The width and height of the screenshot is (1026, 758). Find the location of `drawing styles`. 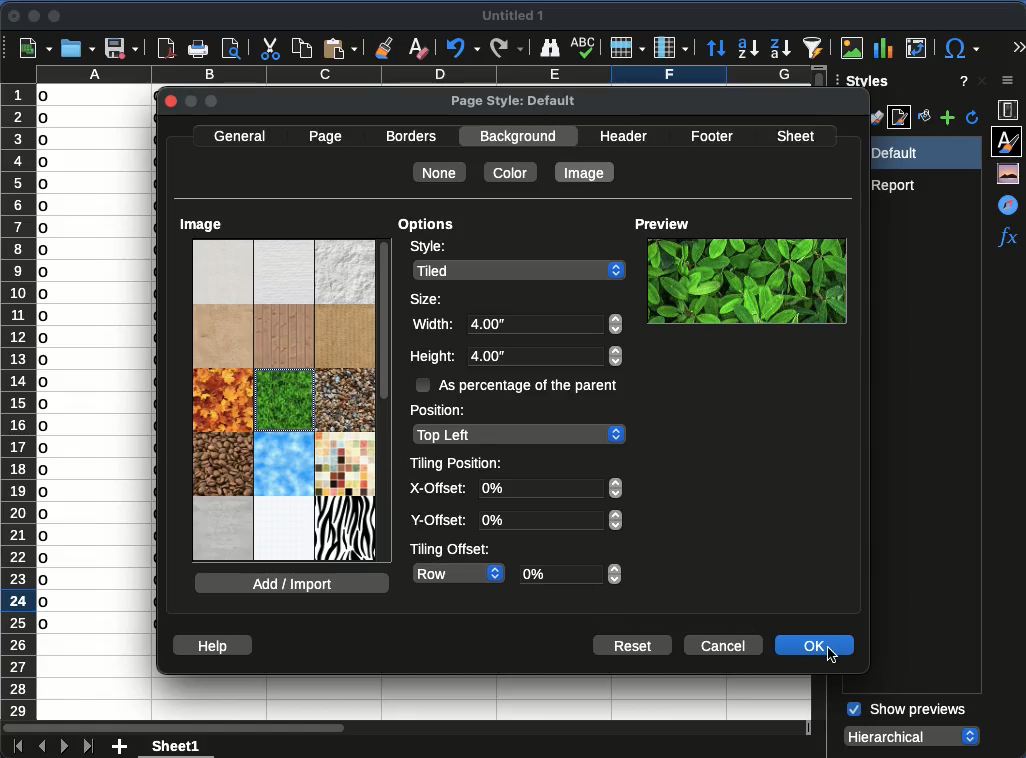

drawing styles is located at coordinates (876, 117).